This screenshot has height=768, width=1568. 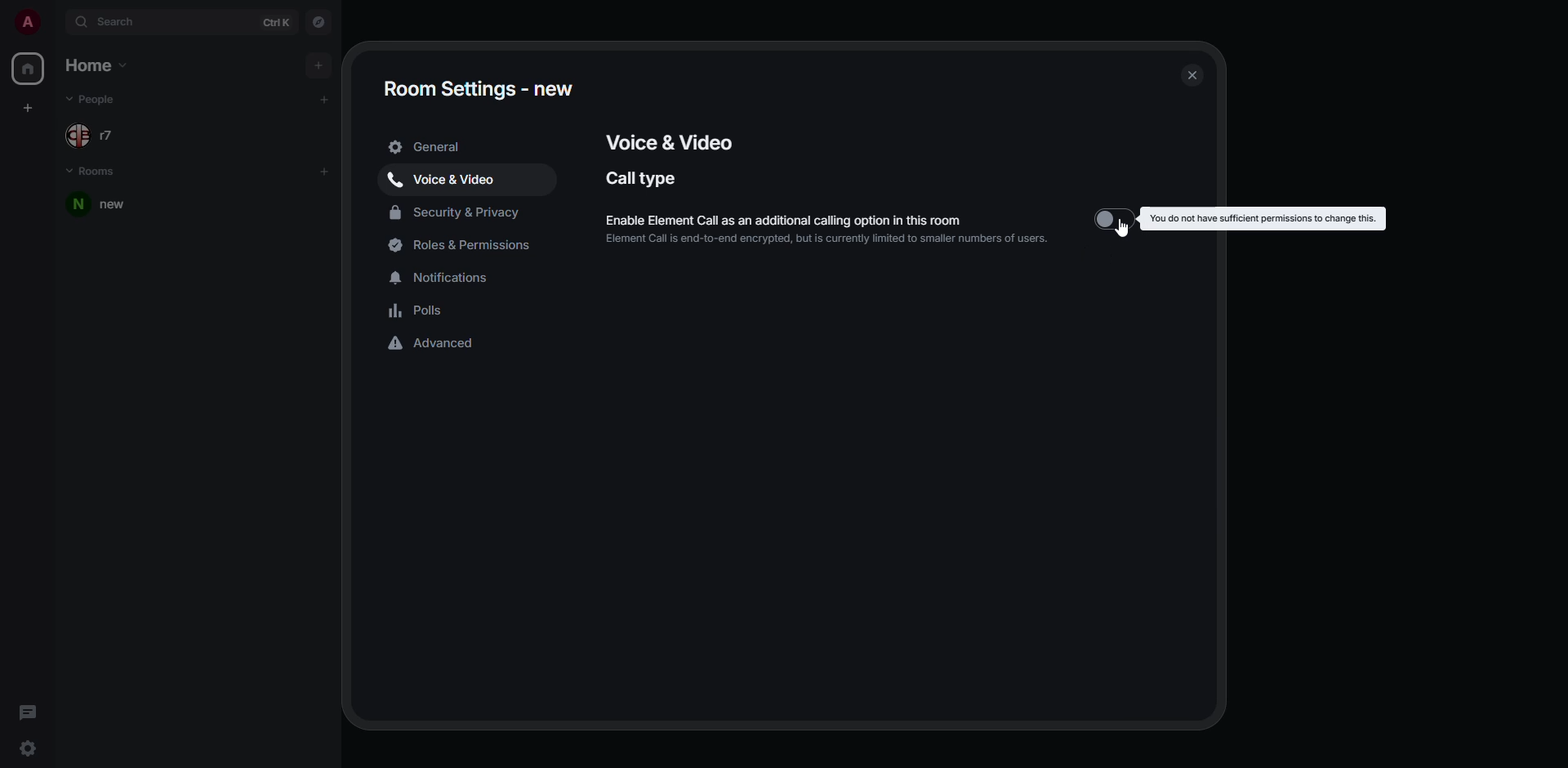 I want to click on add, so click(x=328, y=171).